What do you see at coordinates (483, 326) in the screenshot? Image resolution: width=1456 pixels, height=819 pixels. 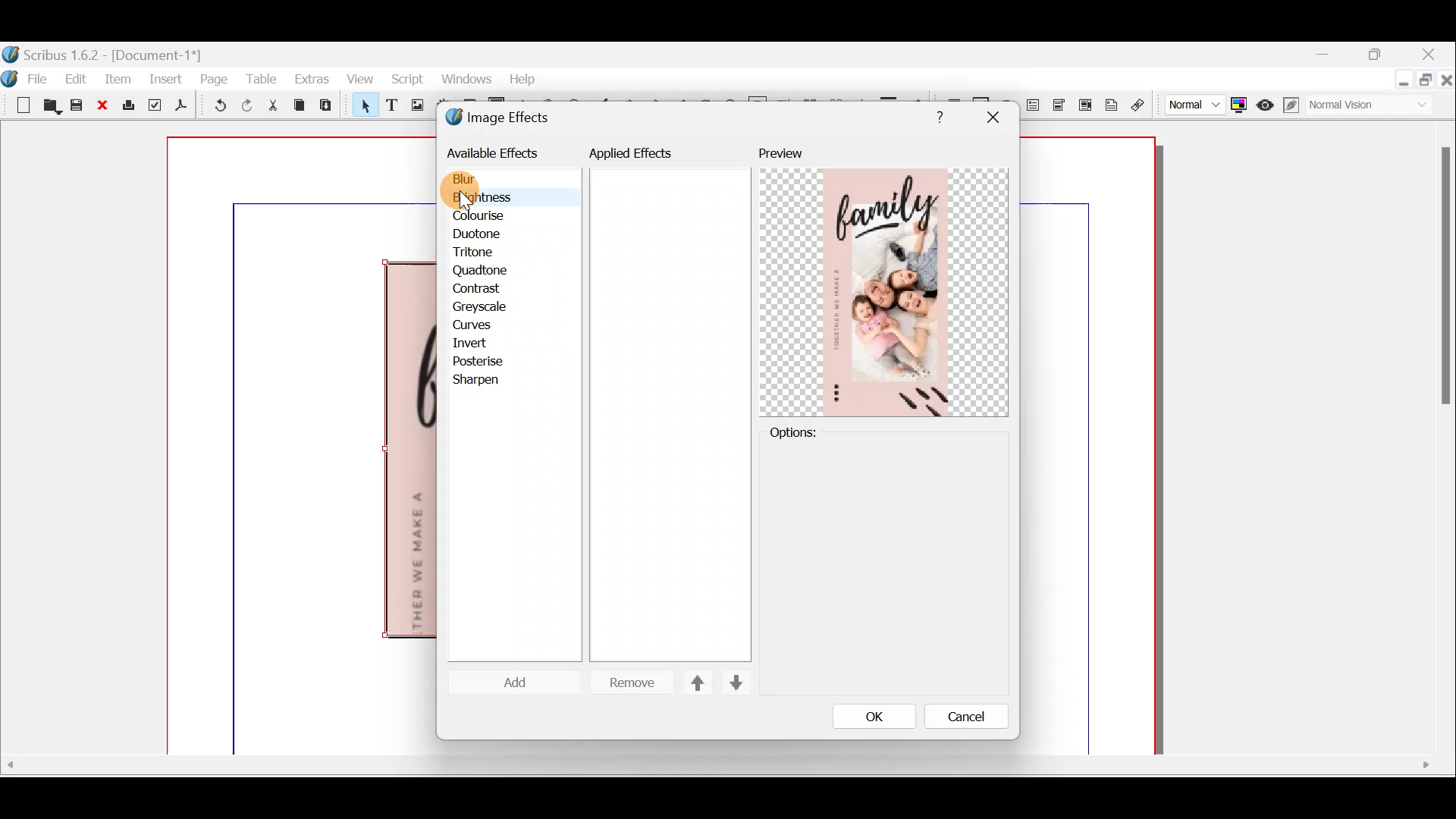 I see `Curves` at bounding box center [483, 326].